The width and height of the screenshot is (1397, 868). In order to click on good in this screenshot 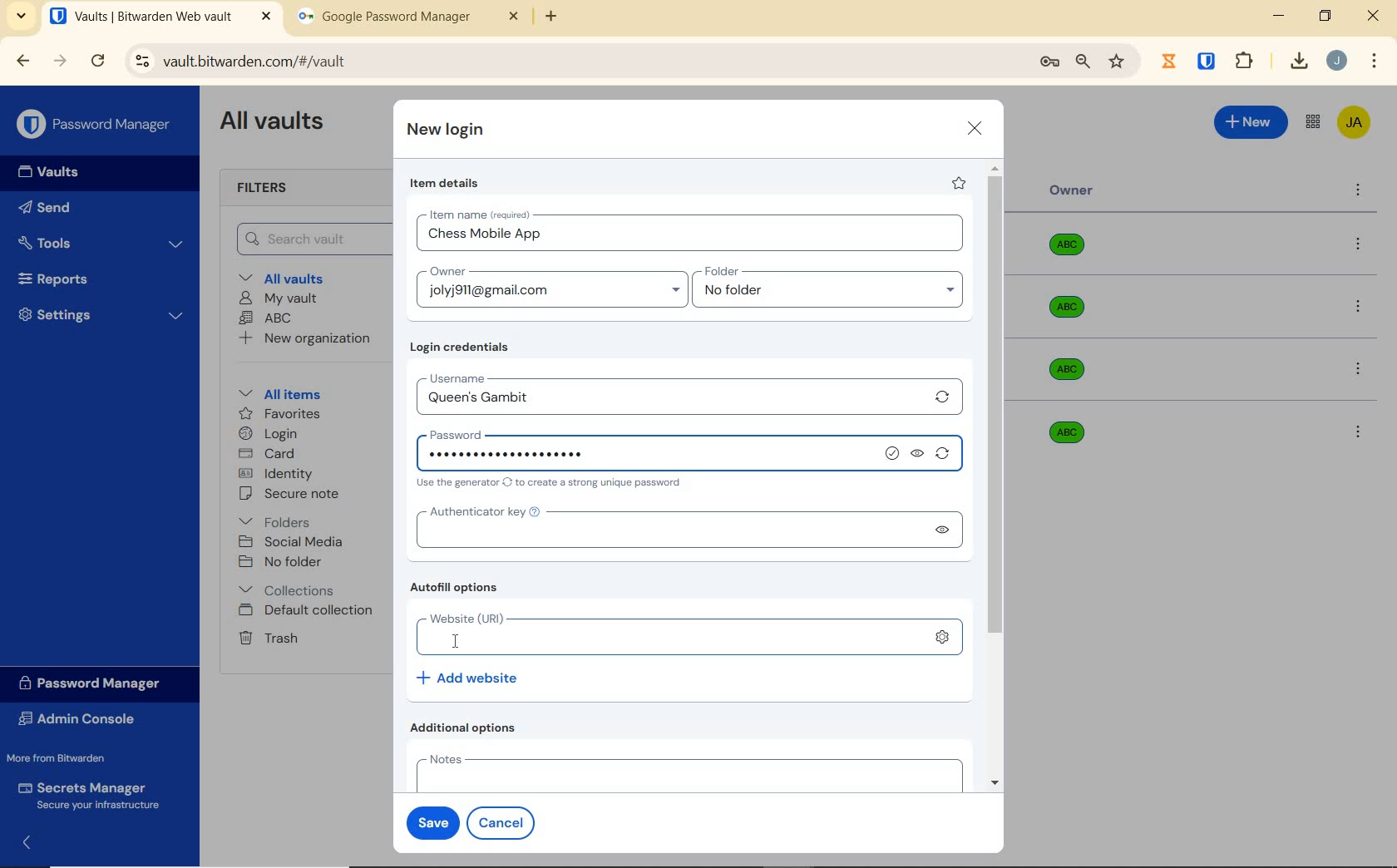, I will do `click(894, 454)`.